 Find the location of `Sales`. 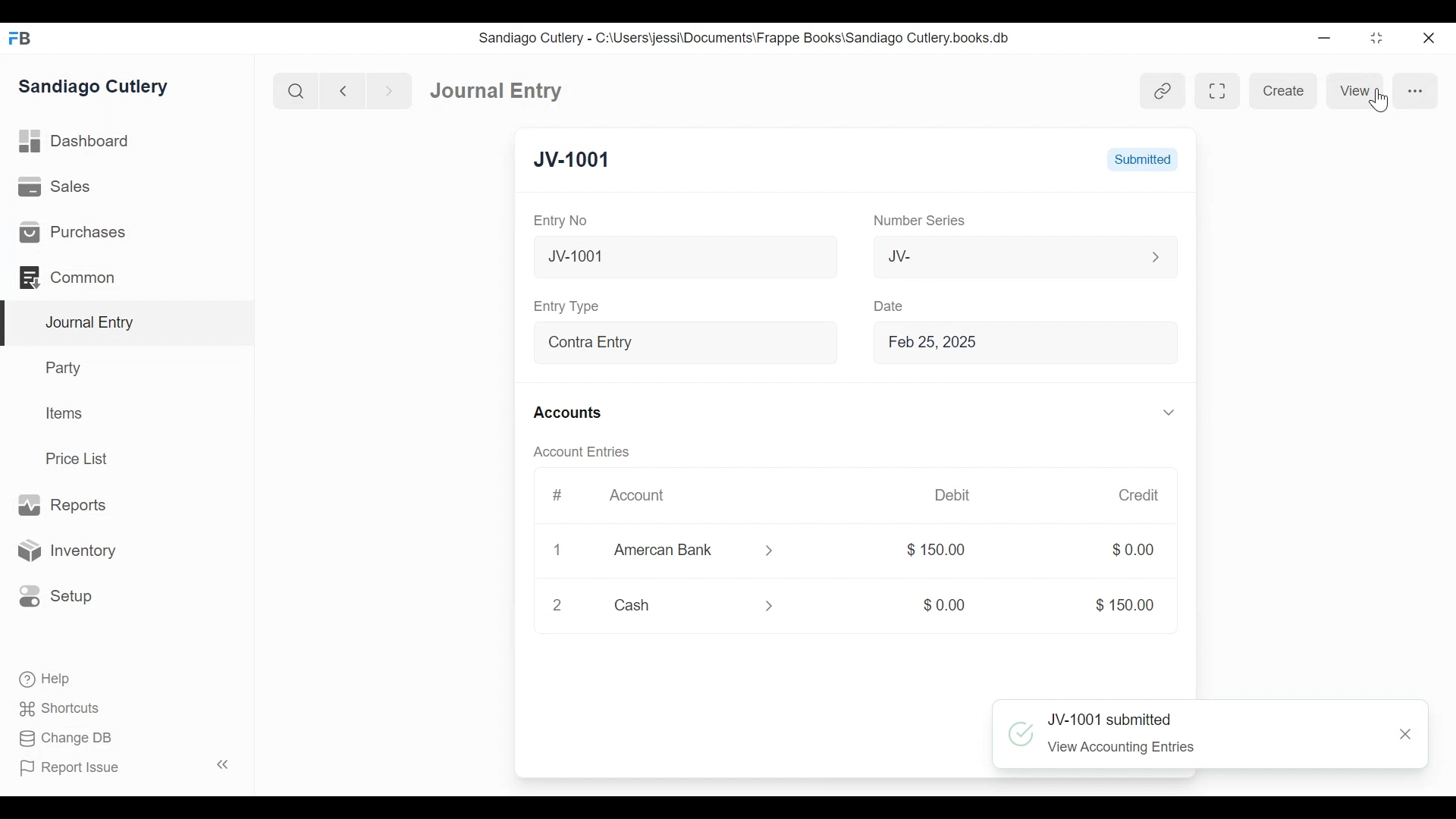

Sales is located at coordinates (60, 187).